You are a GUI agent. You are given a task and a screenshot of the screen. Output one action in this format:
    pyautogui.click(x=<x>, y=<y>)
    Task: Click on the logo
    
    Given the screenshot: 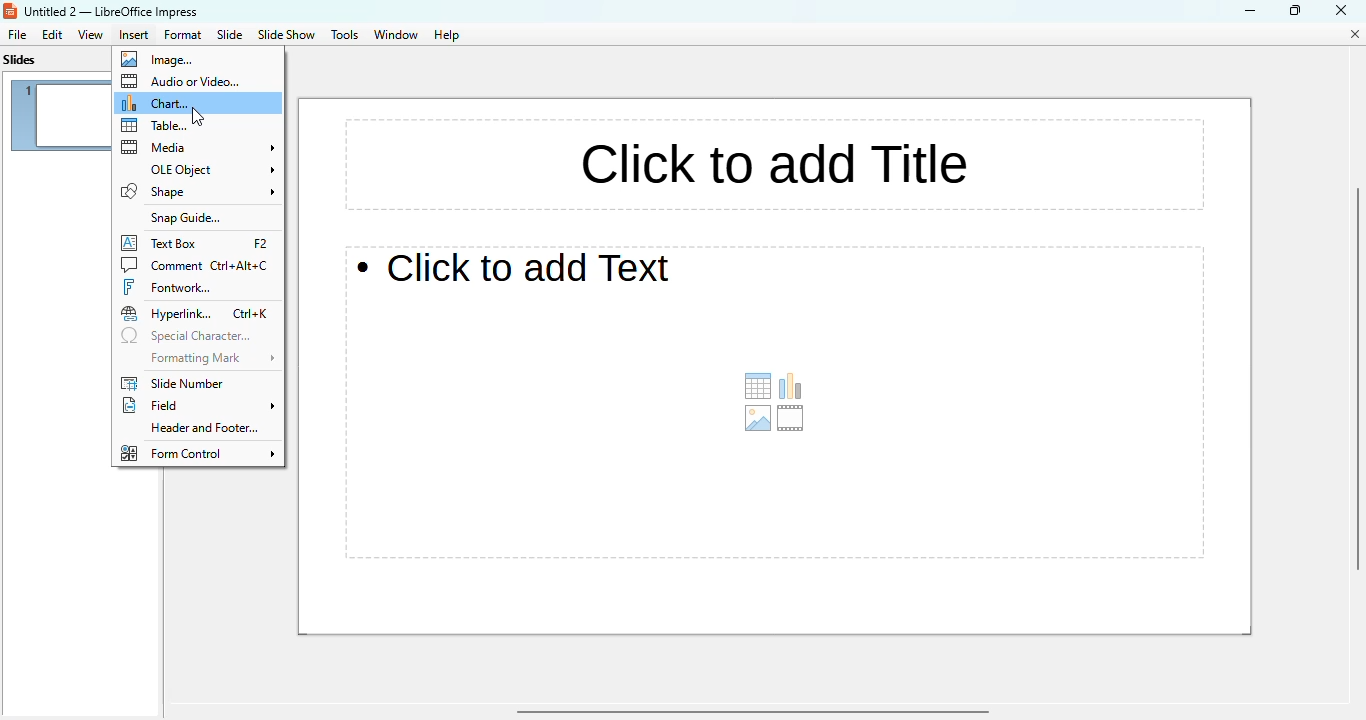 What is the action you would take?
    pyautogui.click(x=10, y=13)
    